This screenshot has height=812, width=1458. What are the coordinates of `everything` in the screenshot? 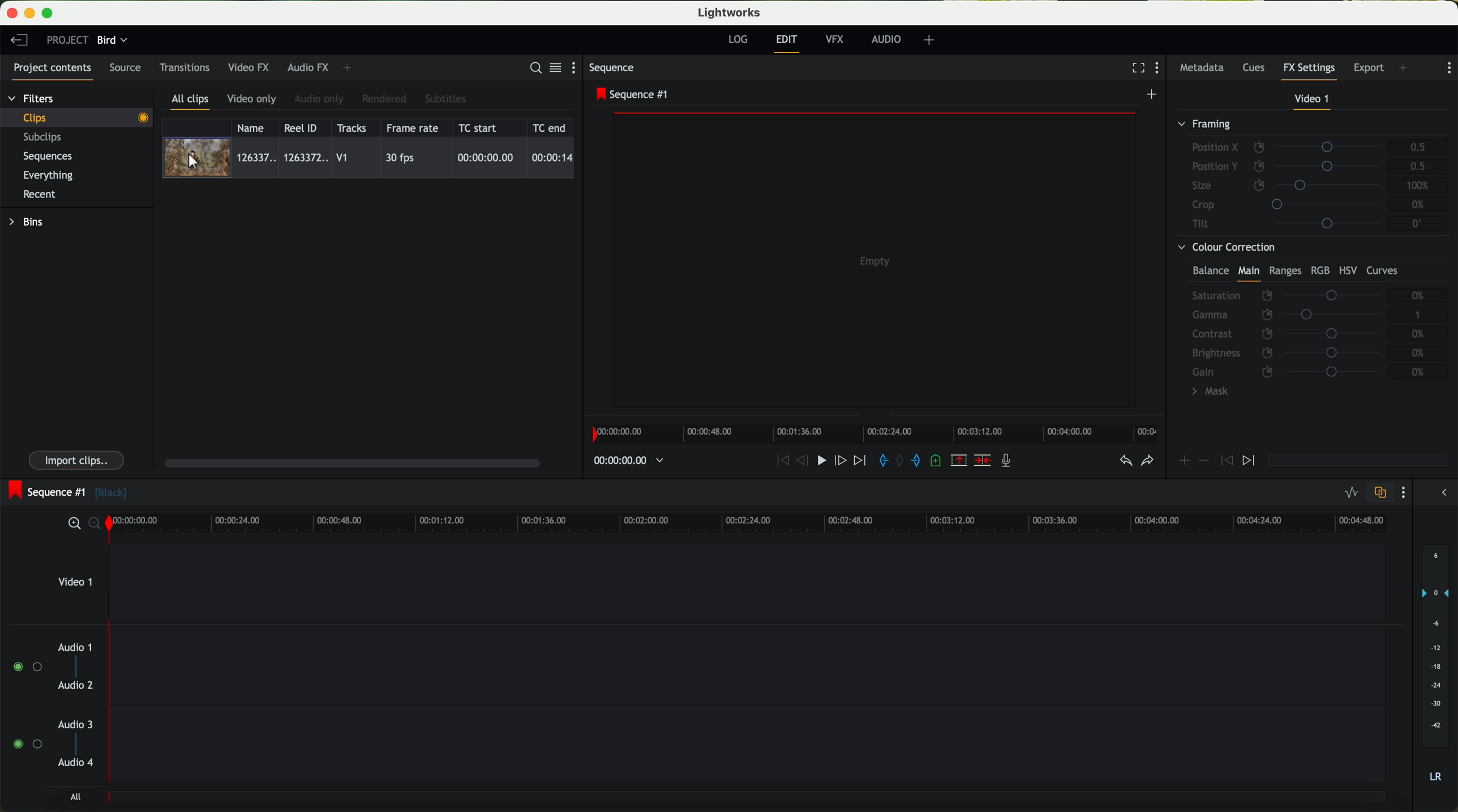 It's located at (49, 175).